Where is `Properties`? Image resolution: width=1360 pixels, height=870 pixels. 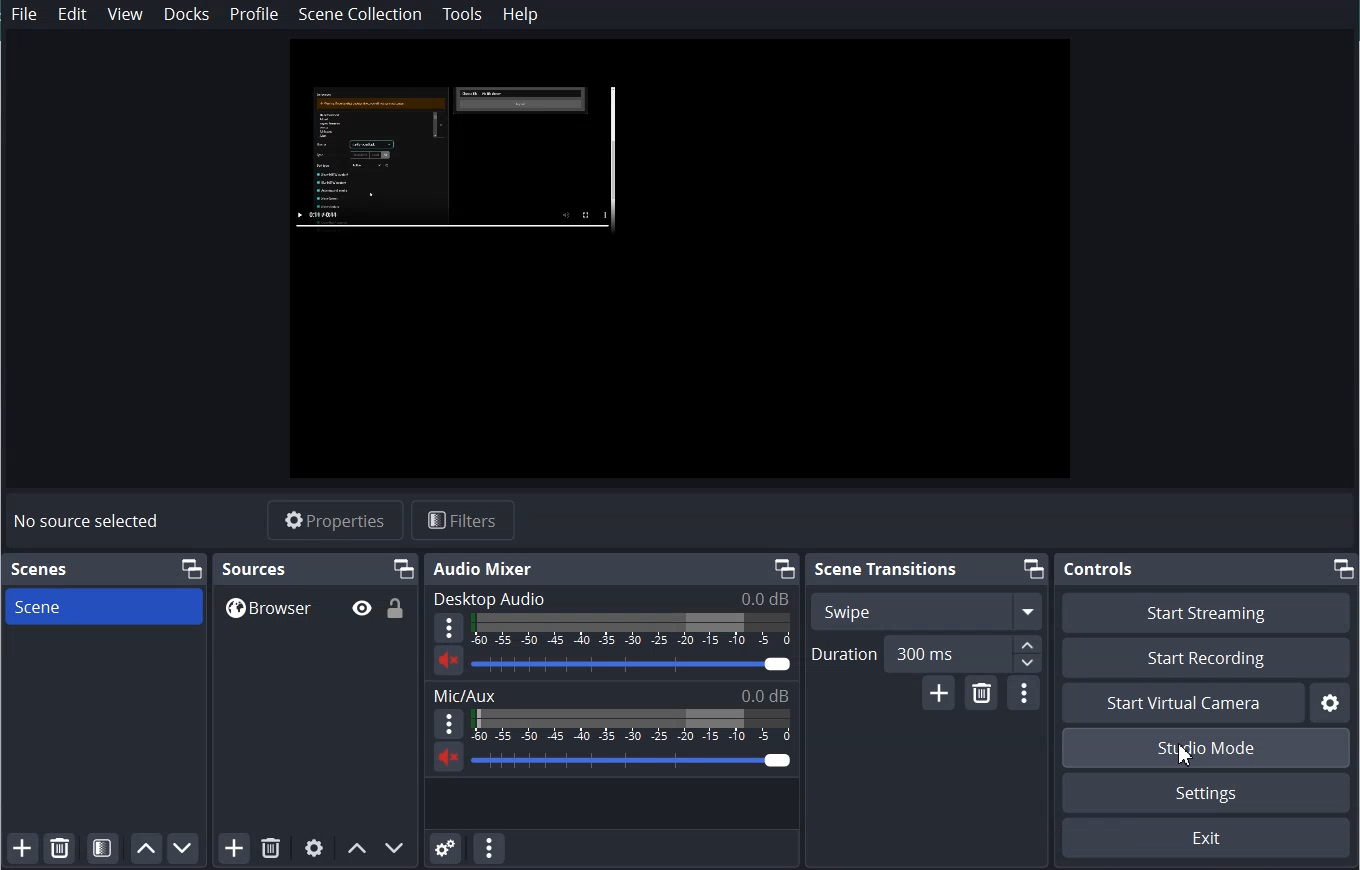
Properties is located at coordinates (335, 520).